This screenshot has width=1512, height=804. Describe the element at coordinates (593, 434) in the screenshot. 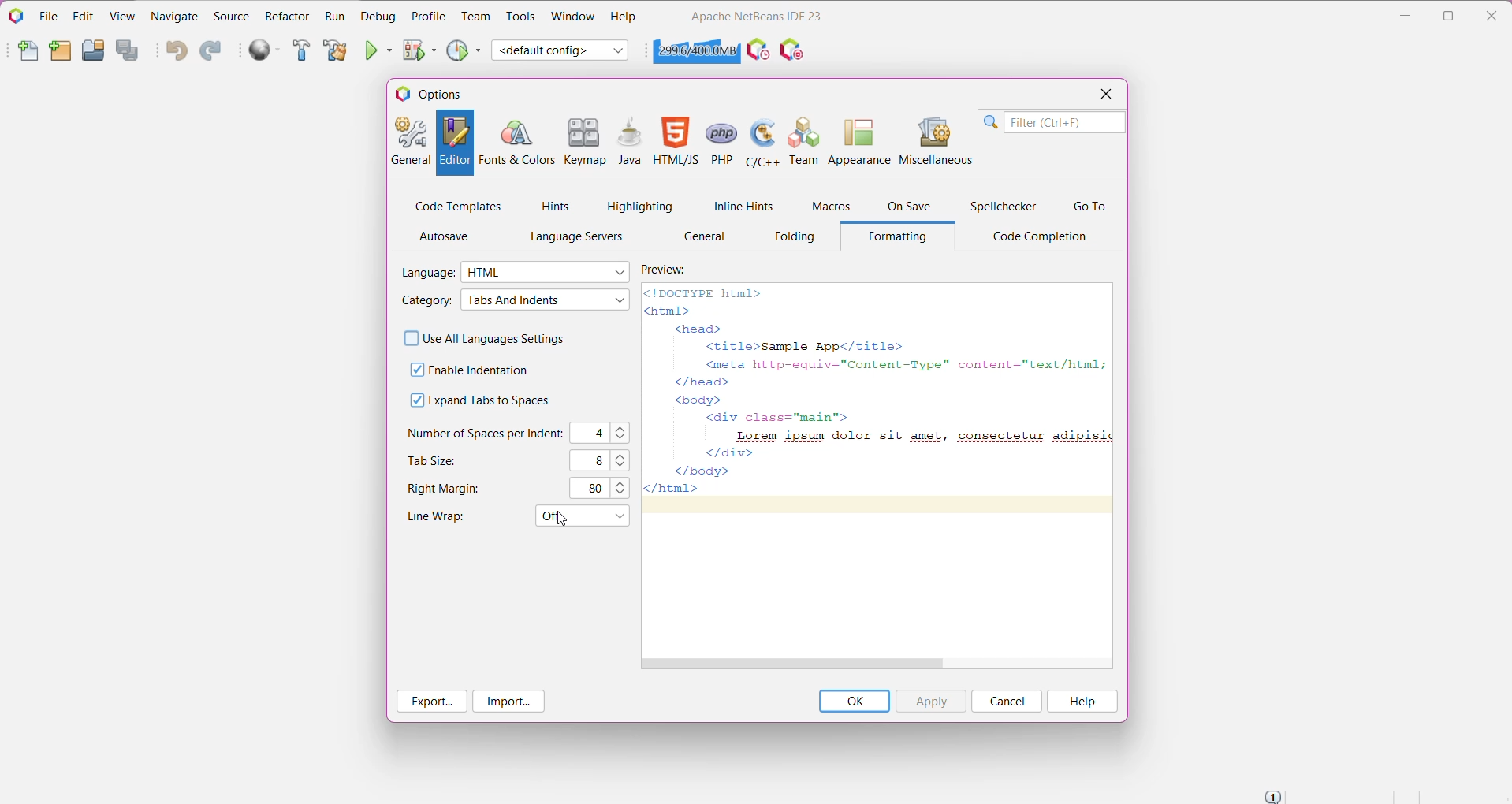

I see `C4` at that location.